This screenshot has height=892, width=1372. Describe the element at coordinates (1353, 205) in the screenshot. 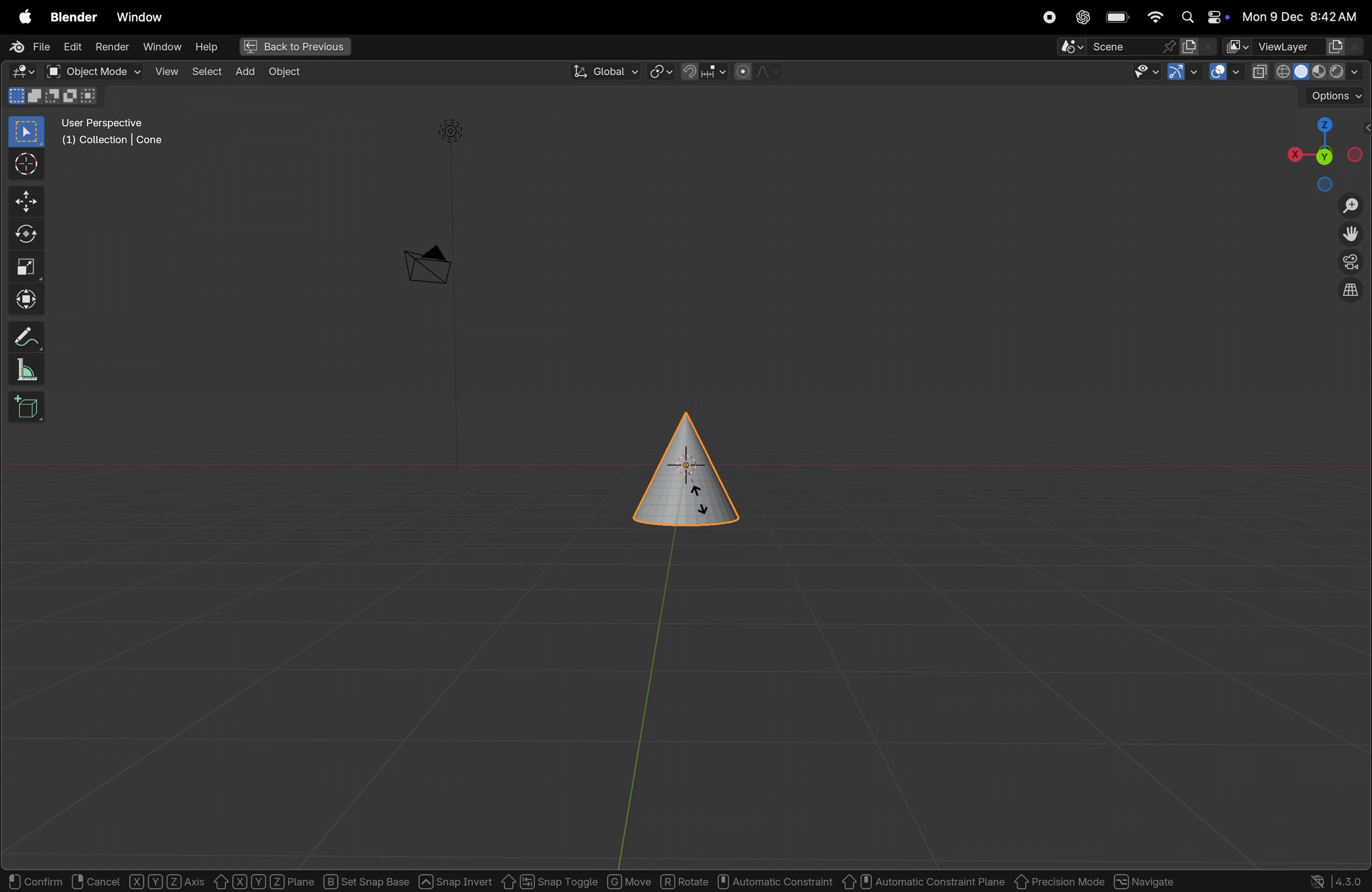

I see `zoom in zom out` at that location.